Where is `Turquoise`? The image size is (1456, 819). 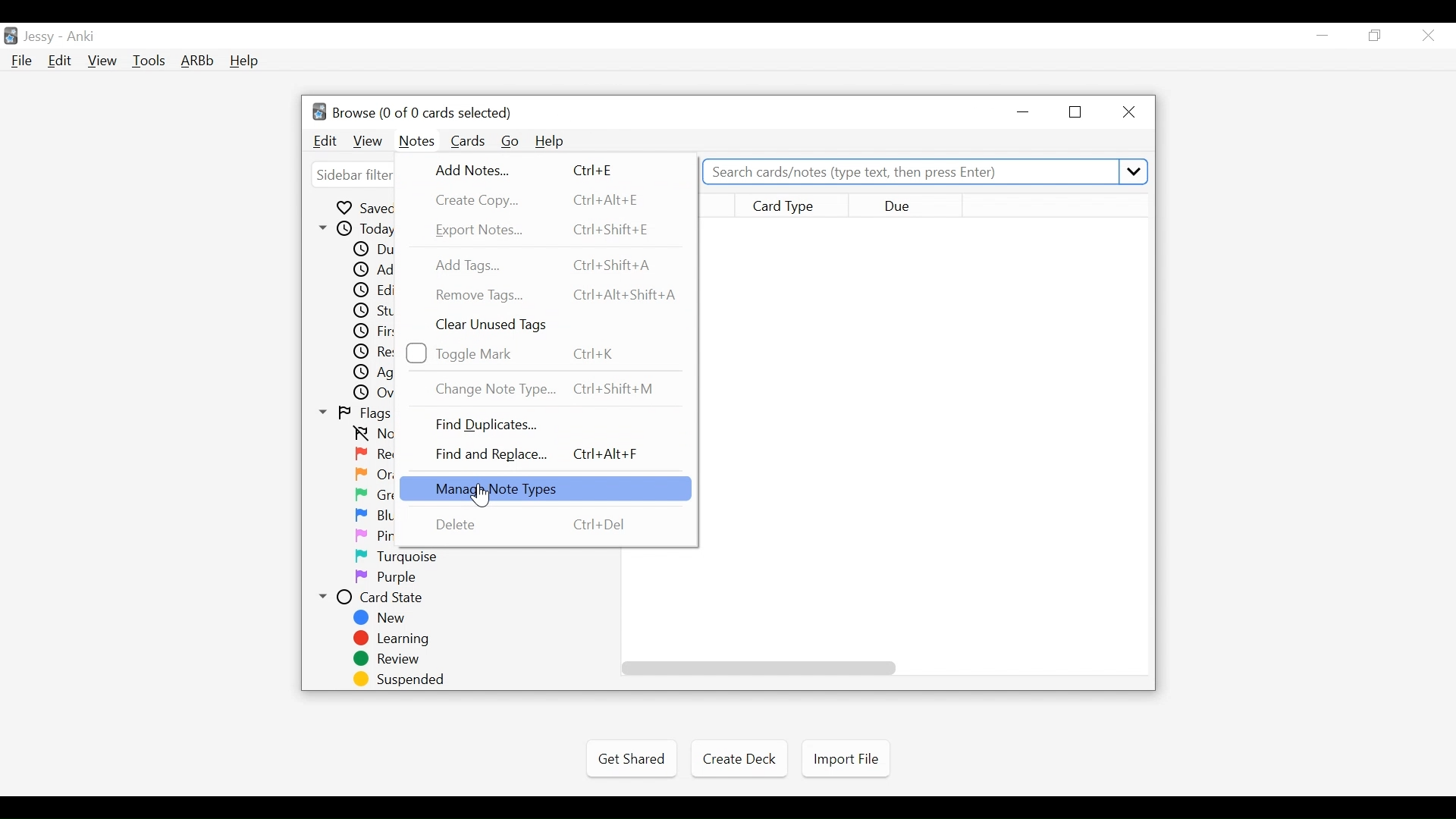
Turquoise is located at coordinates (400, 557).